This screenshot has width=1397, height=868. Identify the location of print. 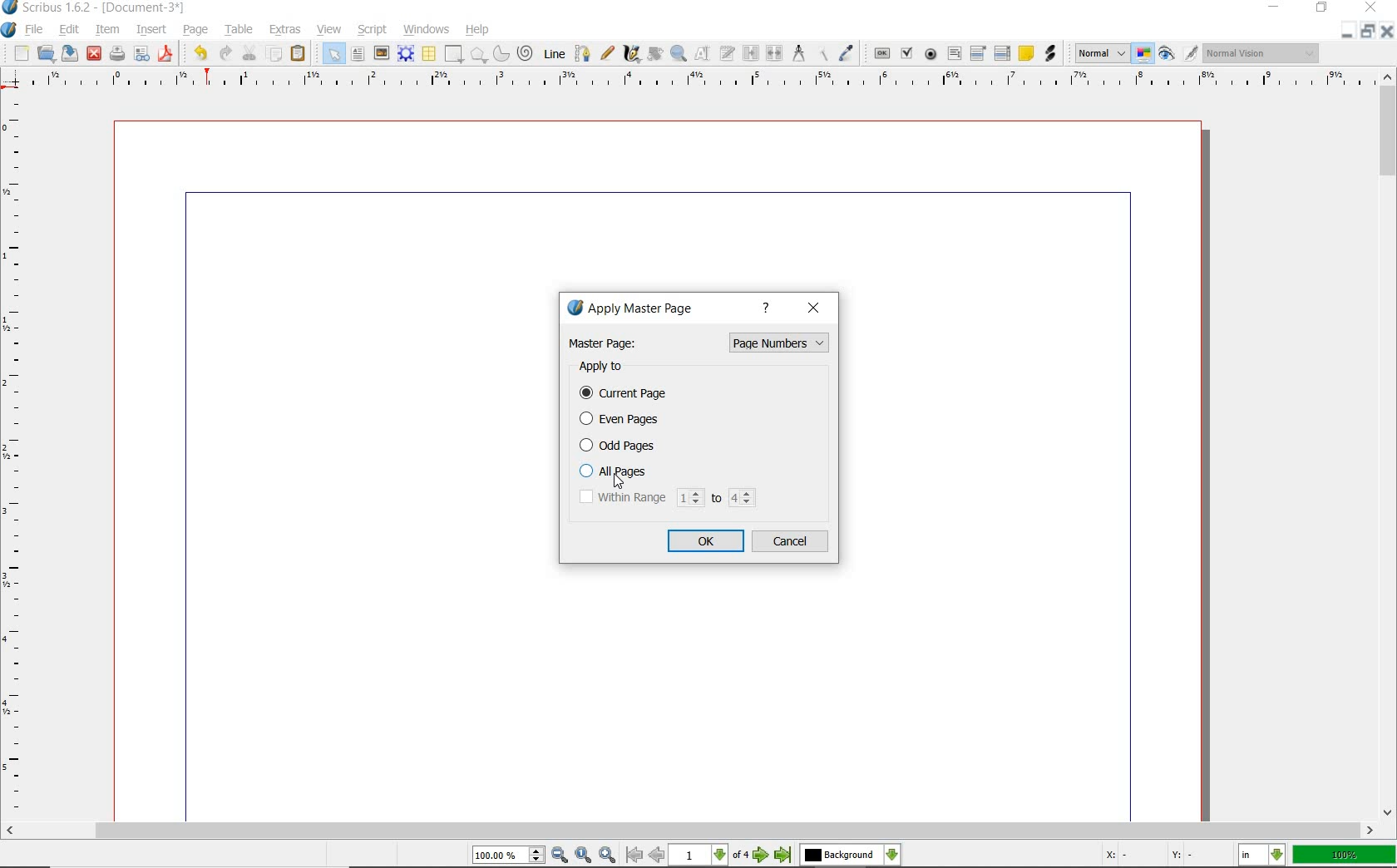
(117, 52).